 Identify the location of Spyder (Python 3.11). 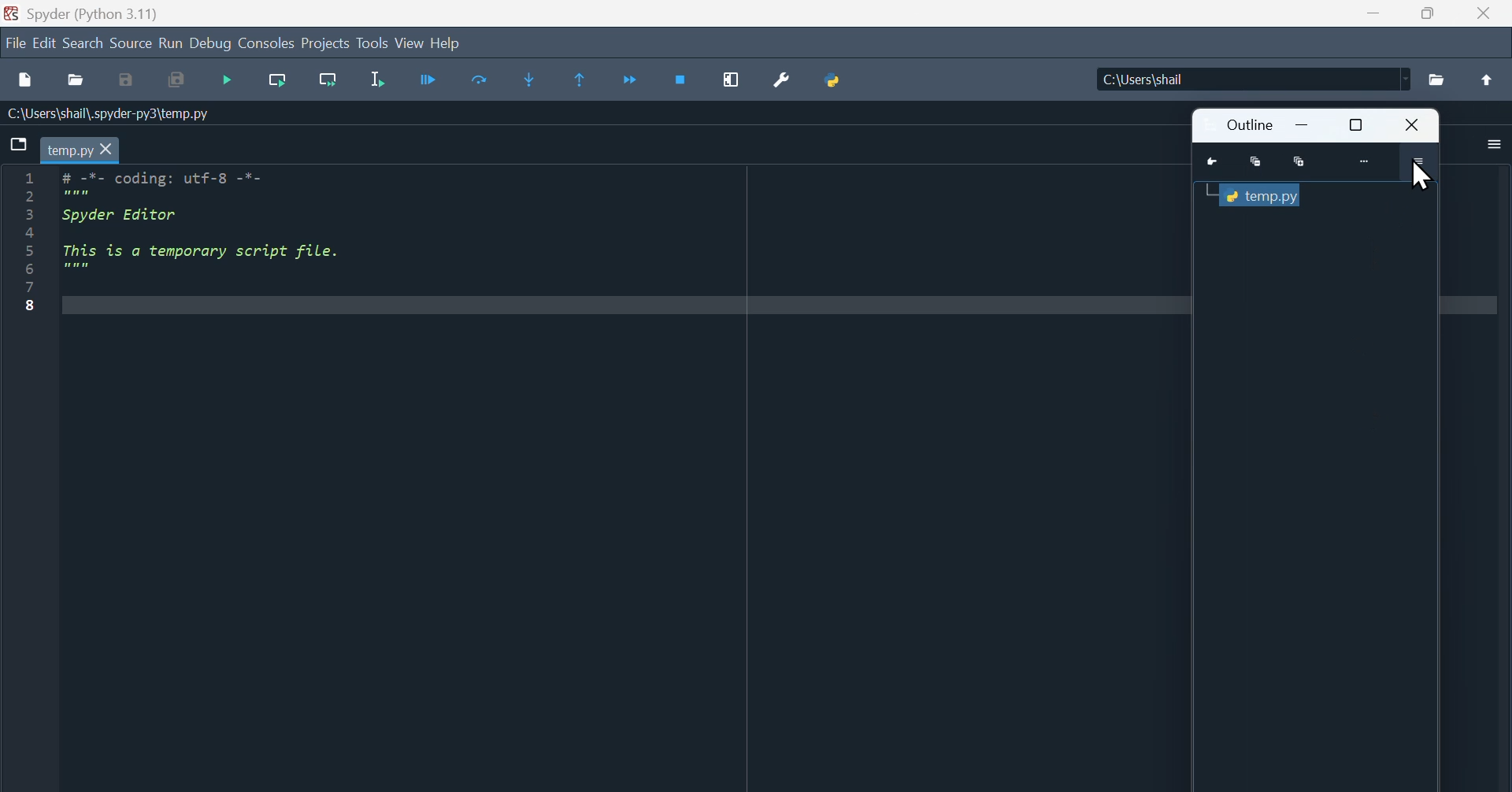
(99, 13).